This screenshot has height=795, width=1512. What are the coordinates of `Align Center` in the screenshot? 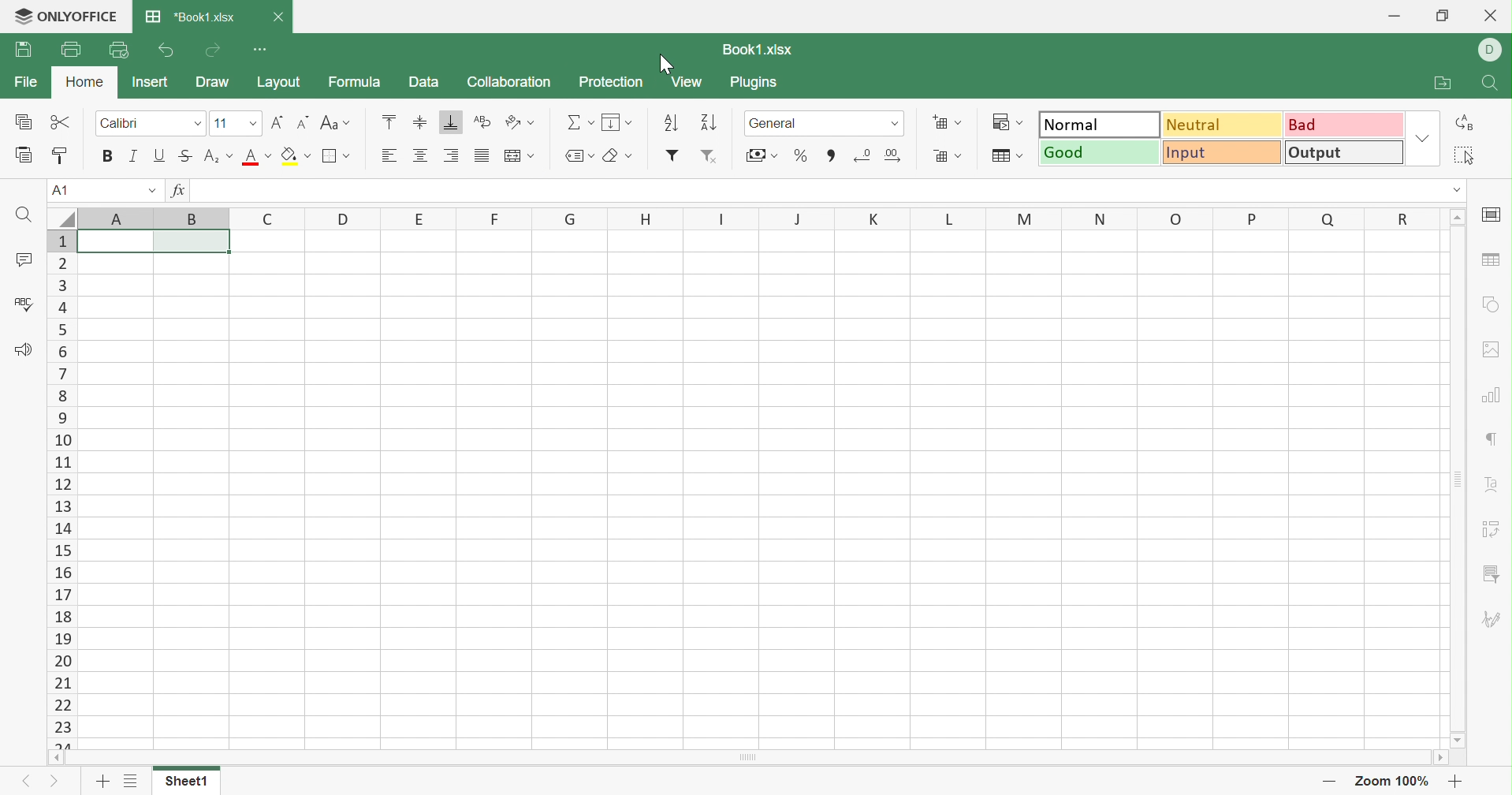 It's located at (422, 157).